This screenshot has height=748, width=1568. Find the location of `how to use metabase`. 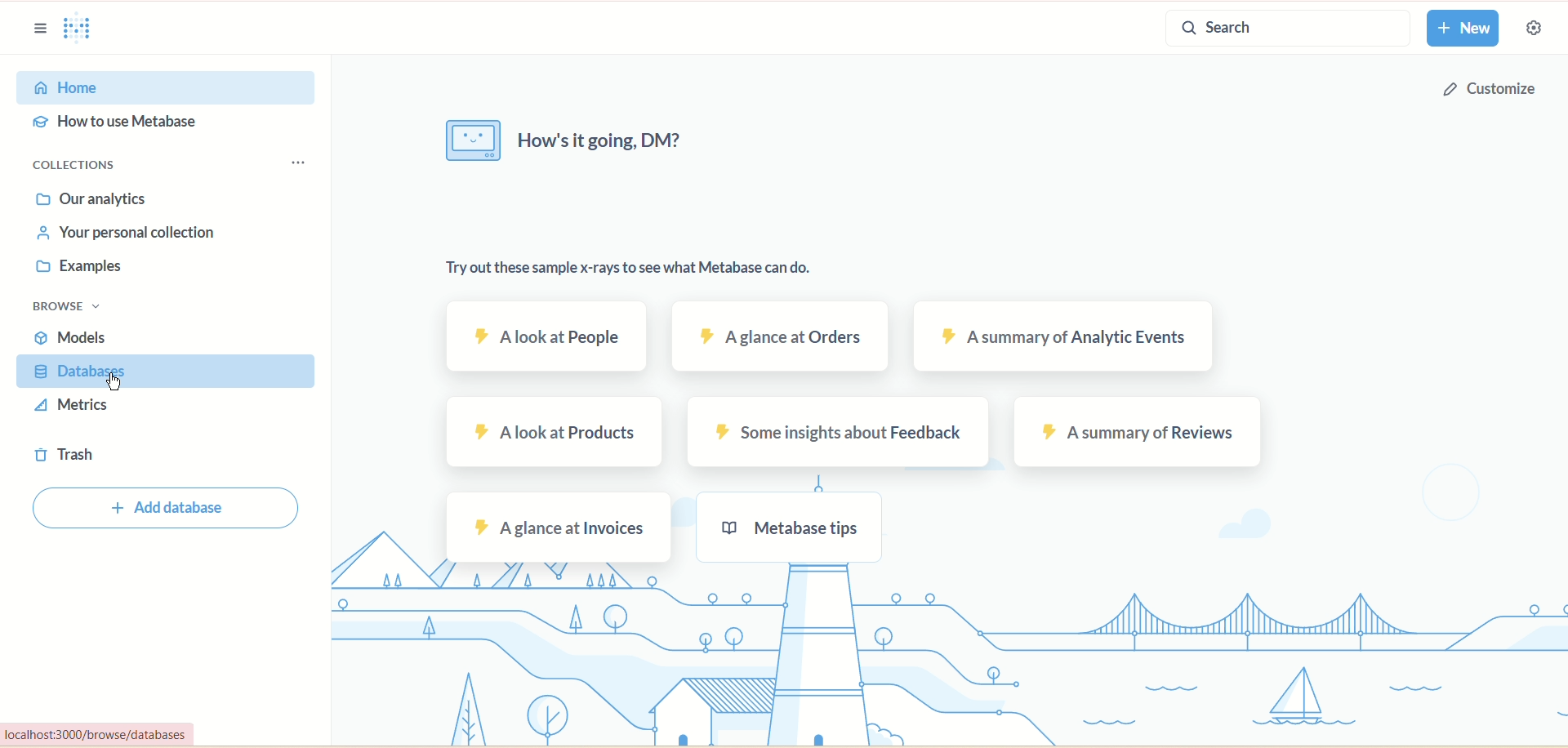

how to use metabase is located at coordinates (114, 122).